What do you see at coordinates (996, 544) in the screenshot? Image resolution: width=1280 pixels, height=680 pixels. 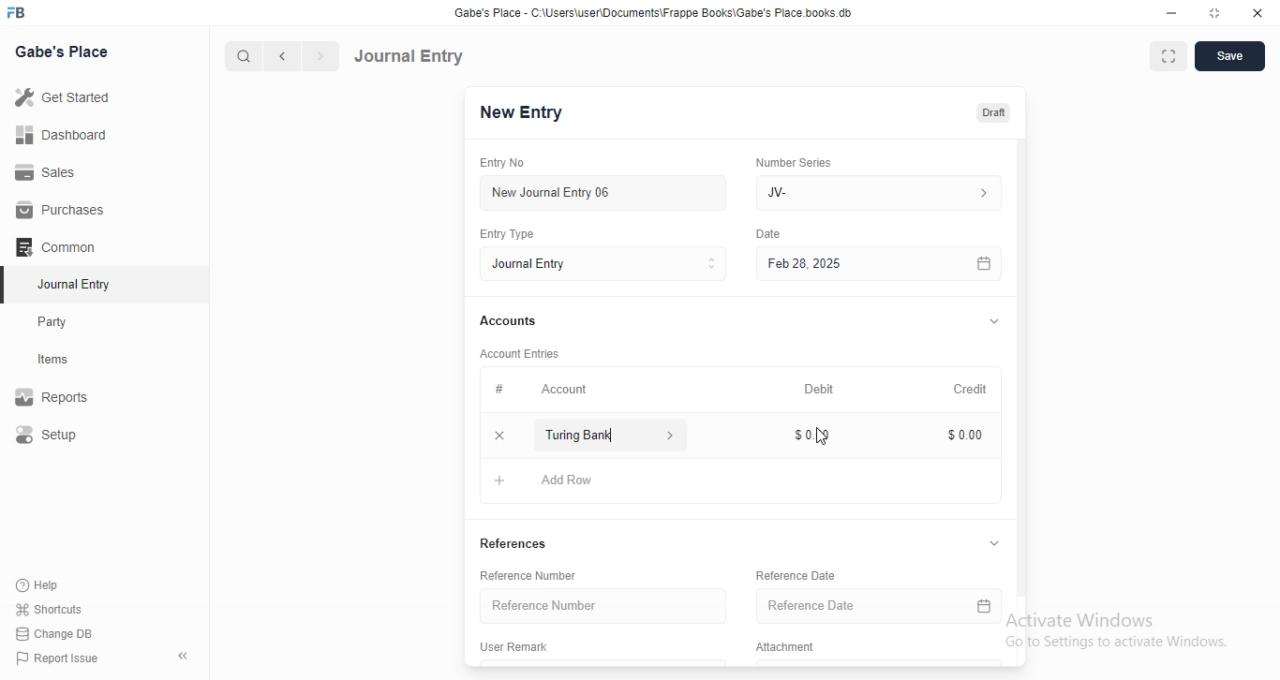 I see `collapse` at bounding box center [996, 544].